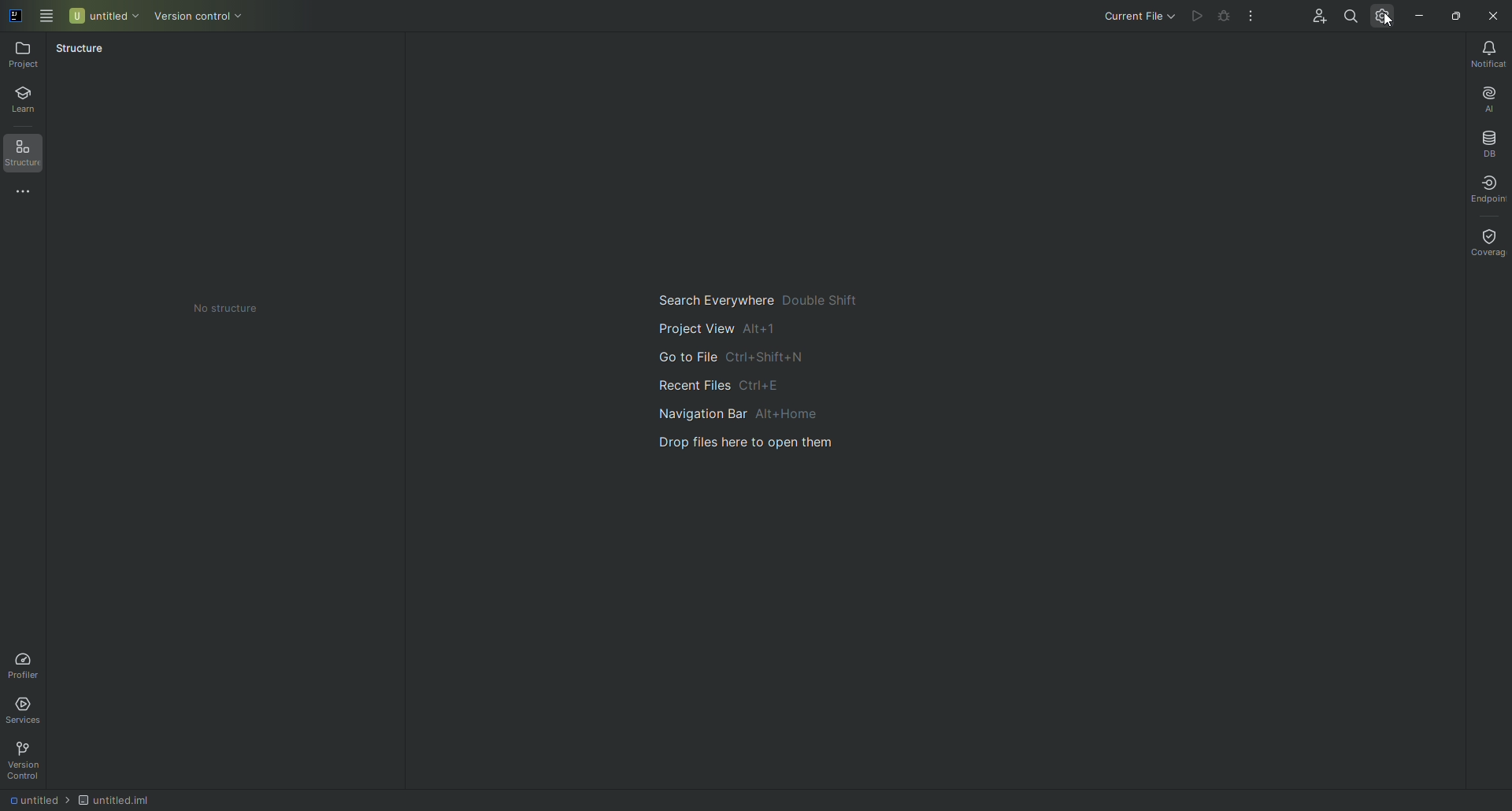 Image resolution: width=1512 pixels, height=811 pixels. Describe the element at coordinates (33, 710) in the screenshot. I see `Services` at that location.